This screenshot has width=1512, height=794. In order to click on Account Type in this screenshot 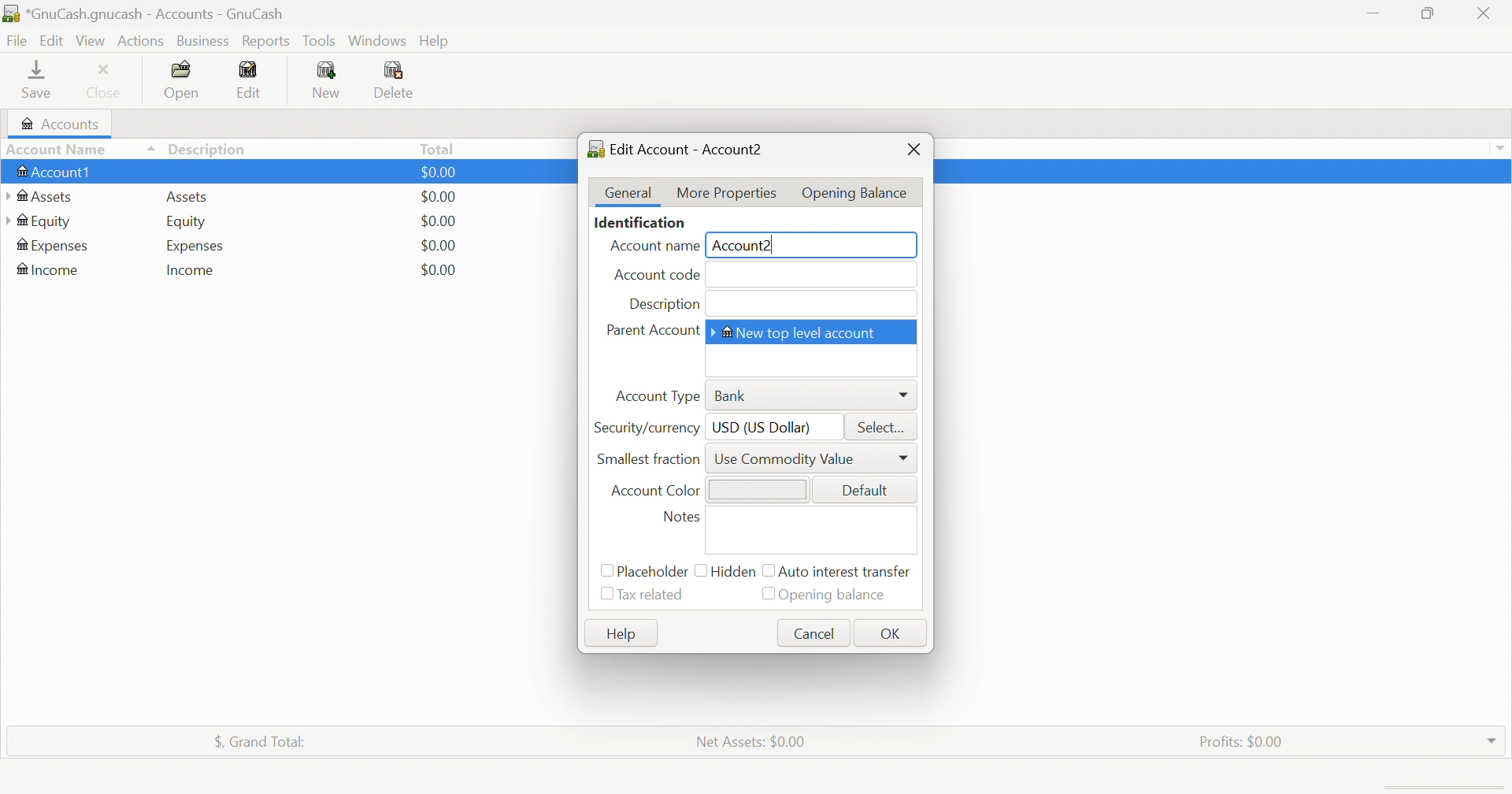, I will do `click(658, 395)`.